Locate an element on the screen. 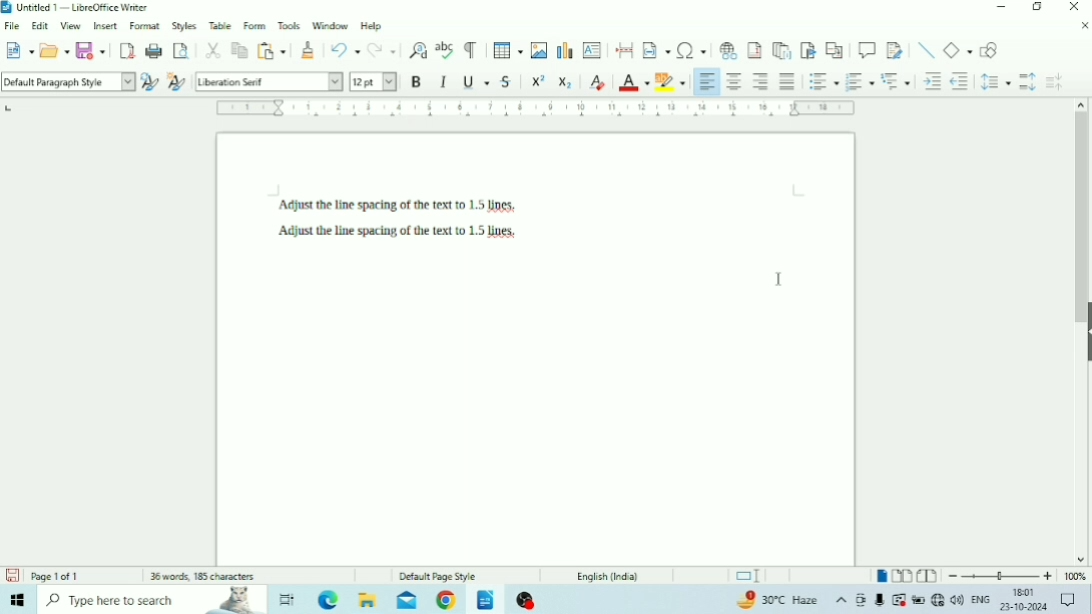  Date is located at coordinates (1024, 606).